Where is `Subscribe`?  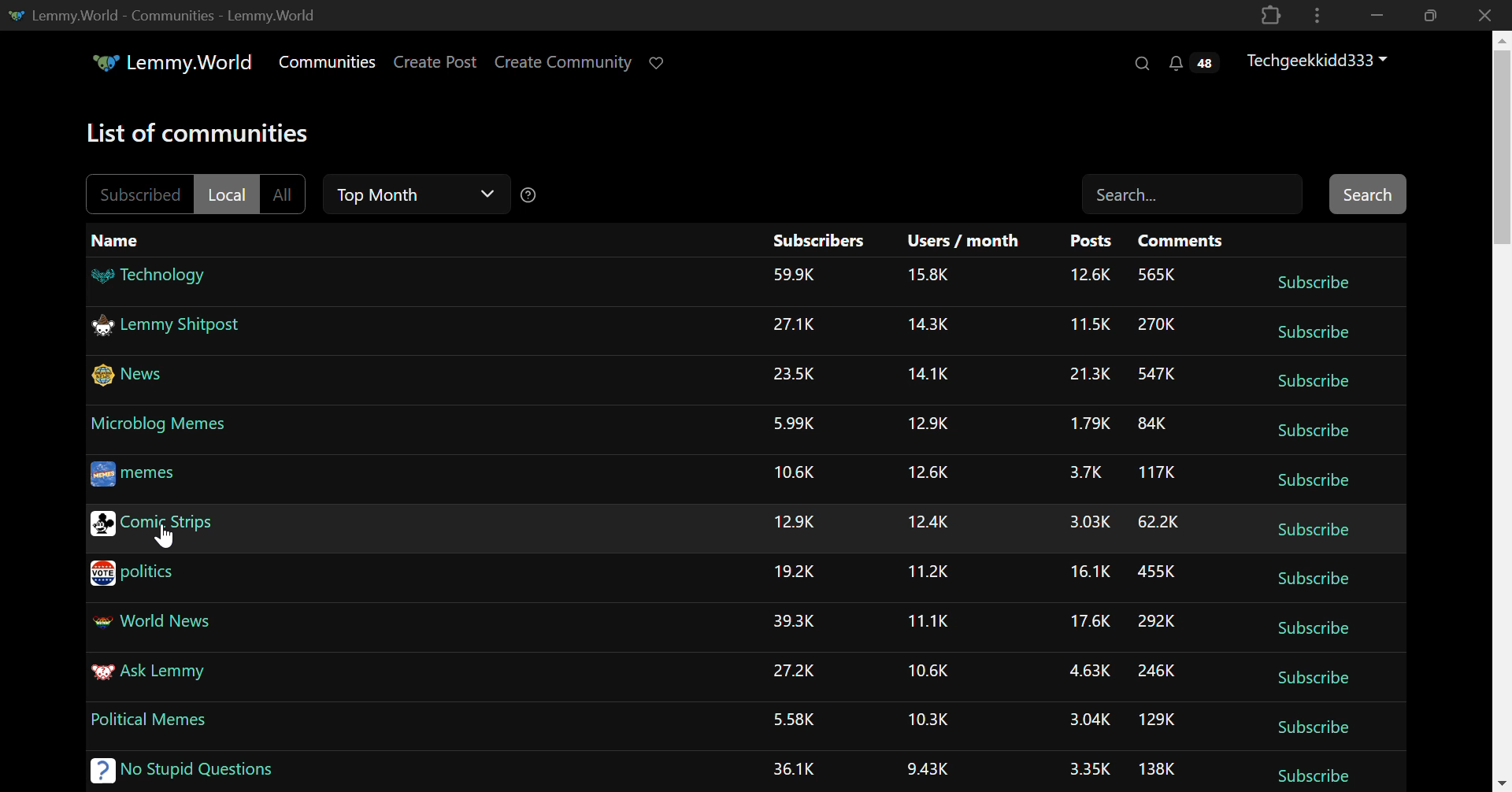
Subscribe is located at coordinates (1312, 332).